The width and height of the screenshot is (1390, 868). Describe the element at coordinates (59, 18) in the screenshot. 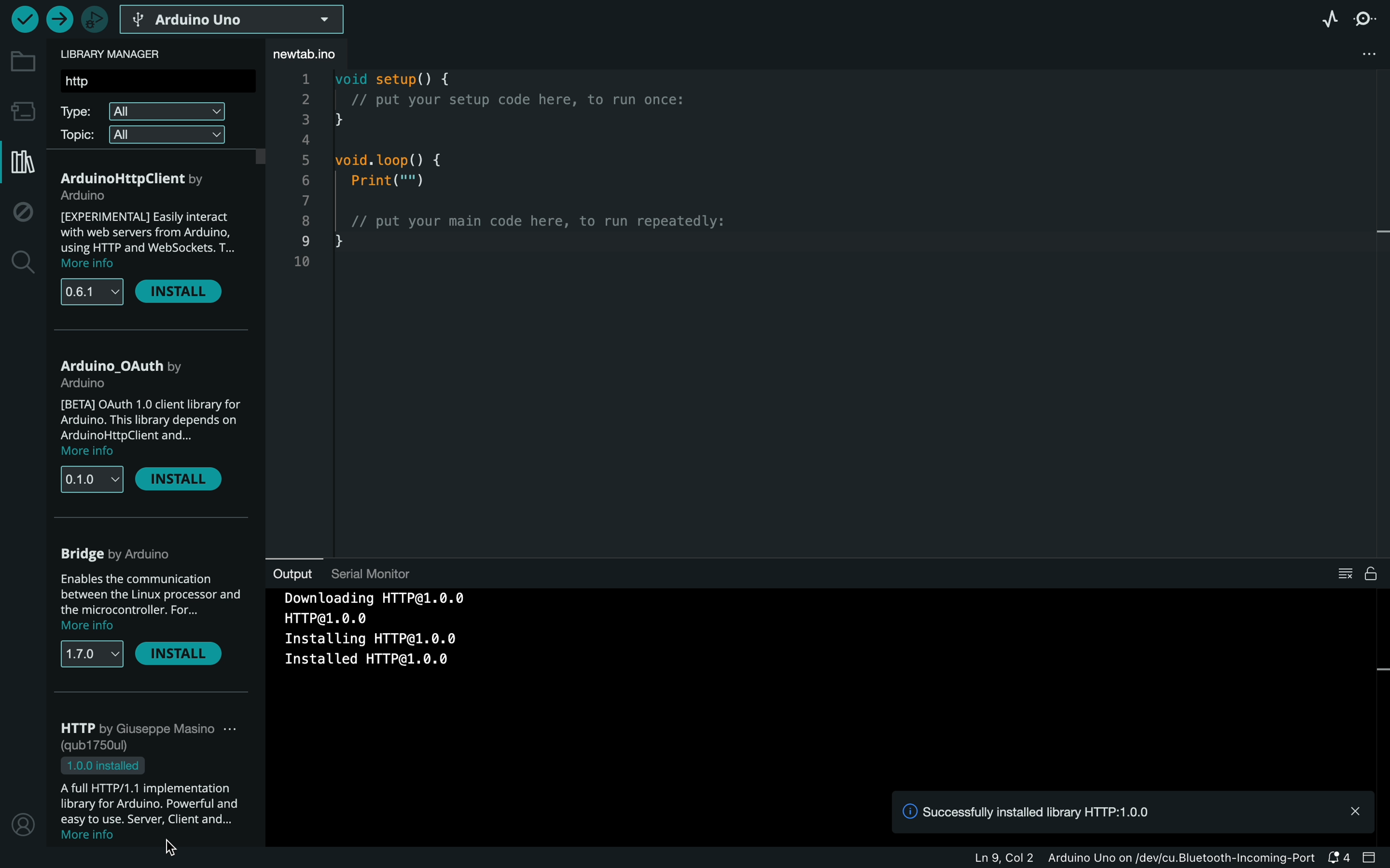

I see `upload` at that location.